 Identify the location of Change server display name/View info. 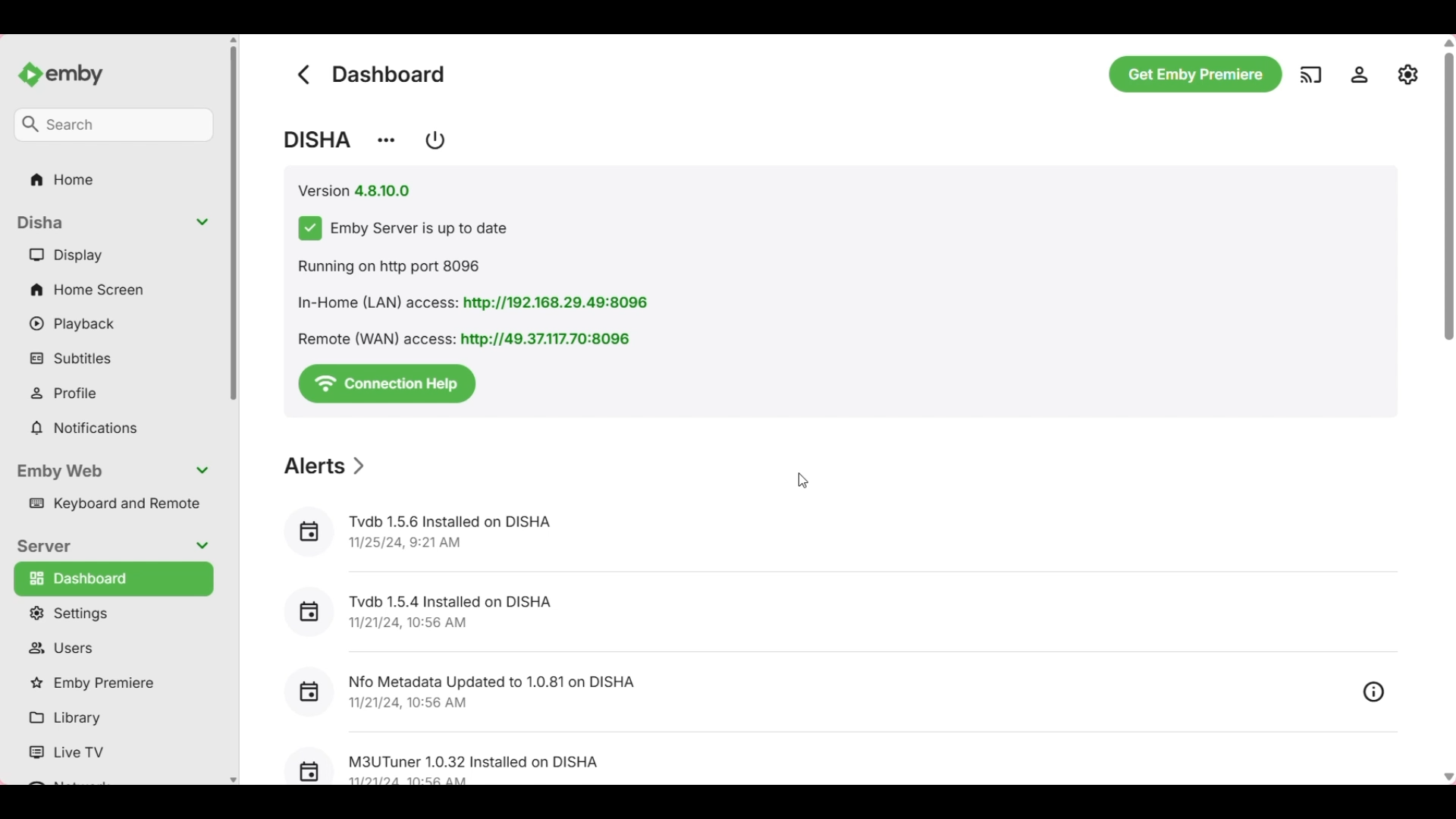
(385, 141).